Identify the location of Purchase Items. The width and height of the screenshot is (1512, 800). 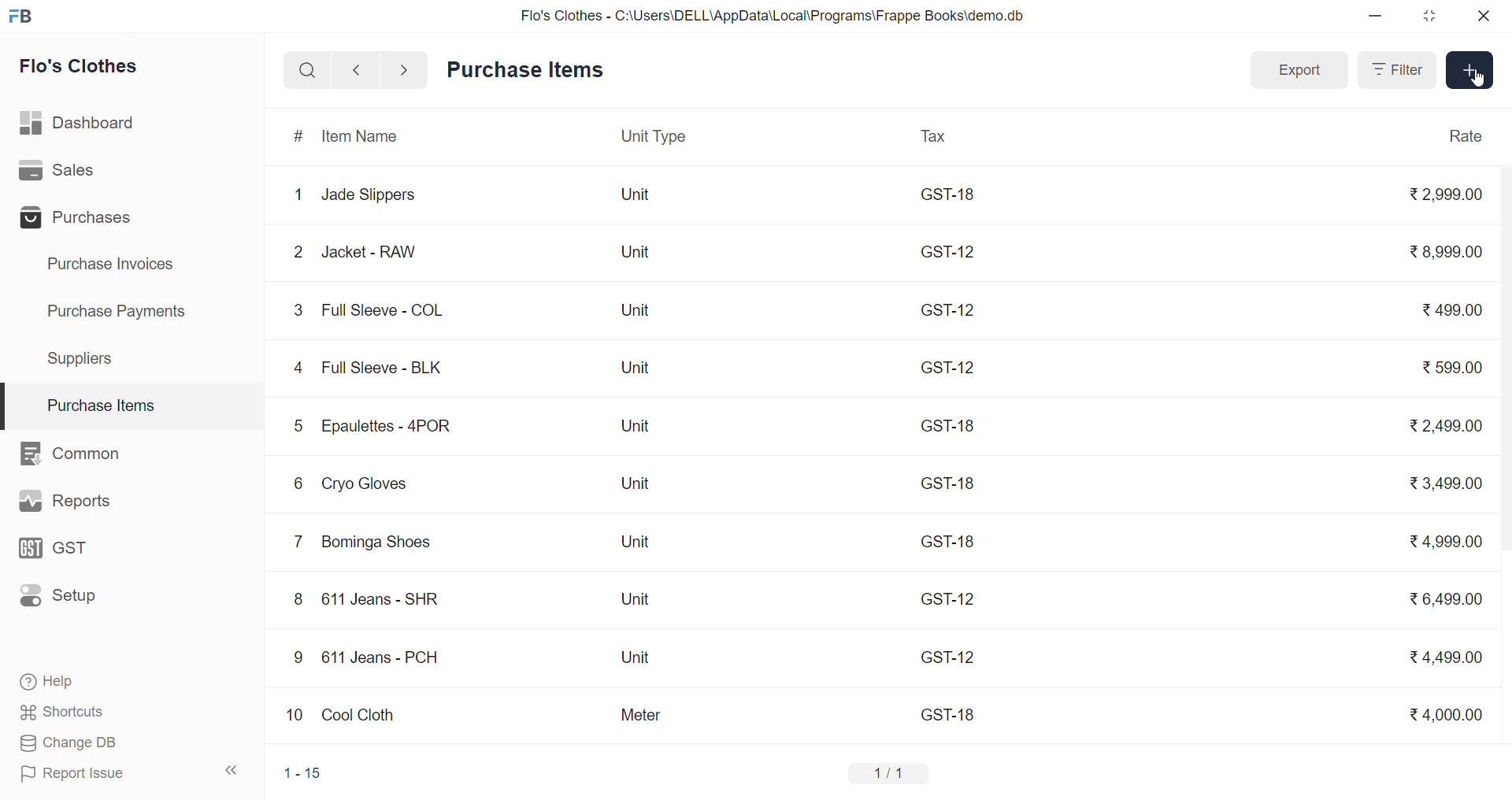
(524, 71).